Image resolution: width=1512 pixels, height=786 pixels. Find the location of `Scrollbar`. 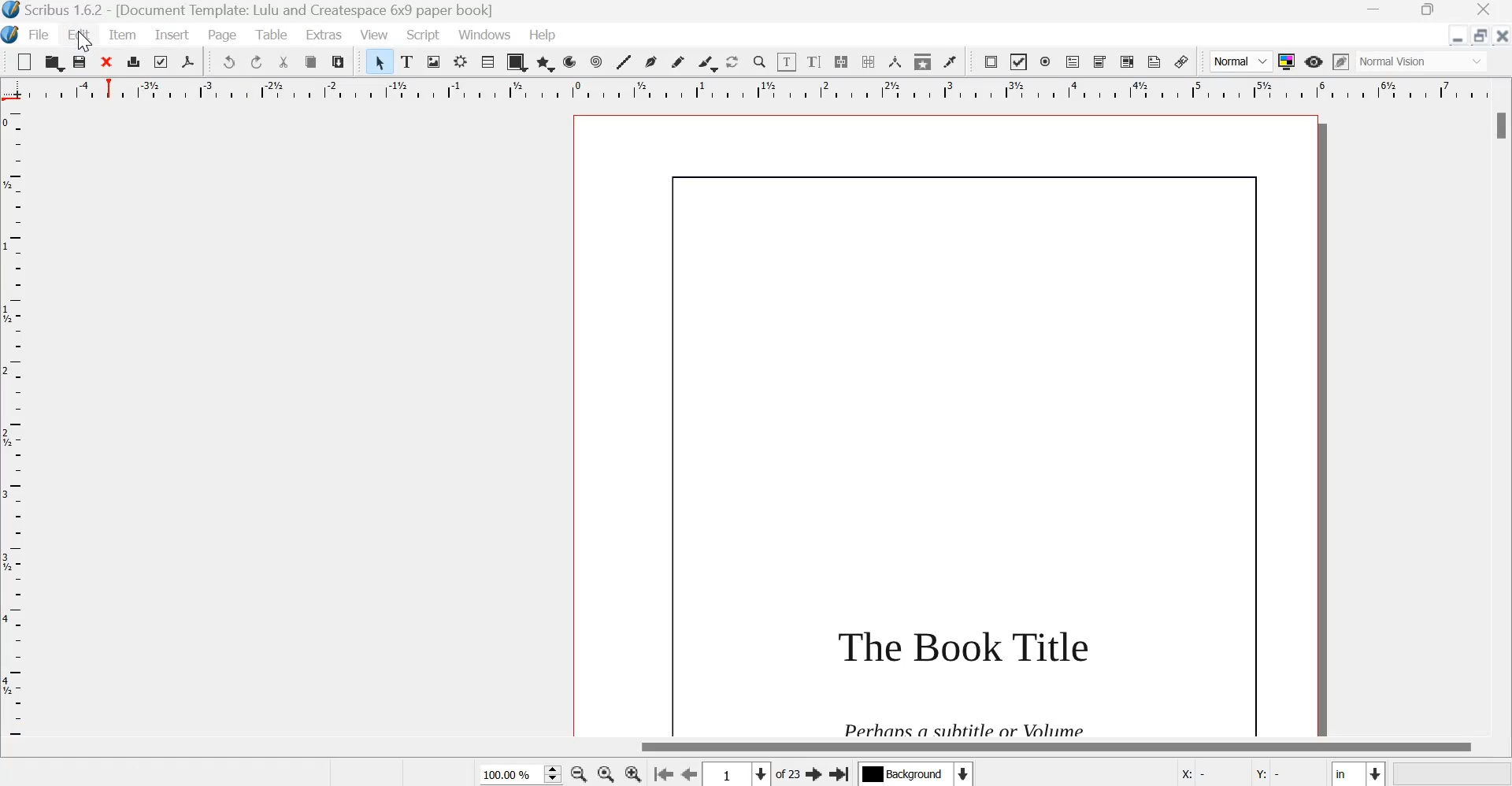

Scrollbar is located at coordinates (1051, 747).